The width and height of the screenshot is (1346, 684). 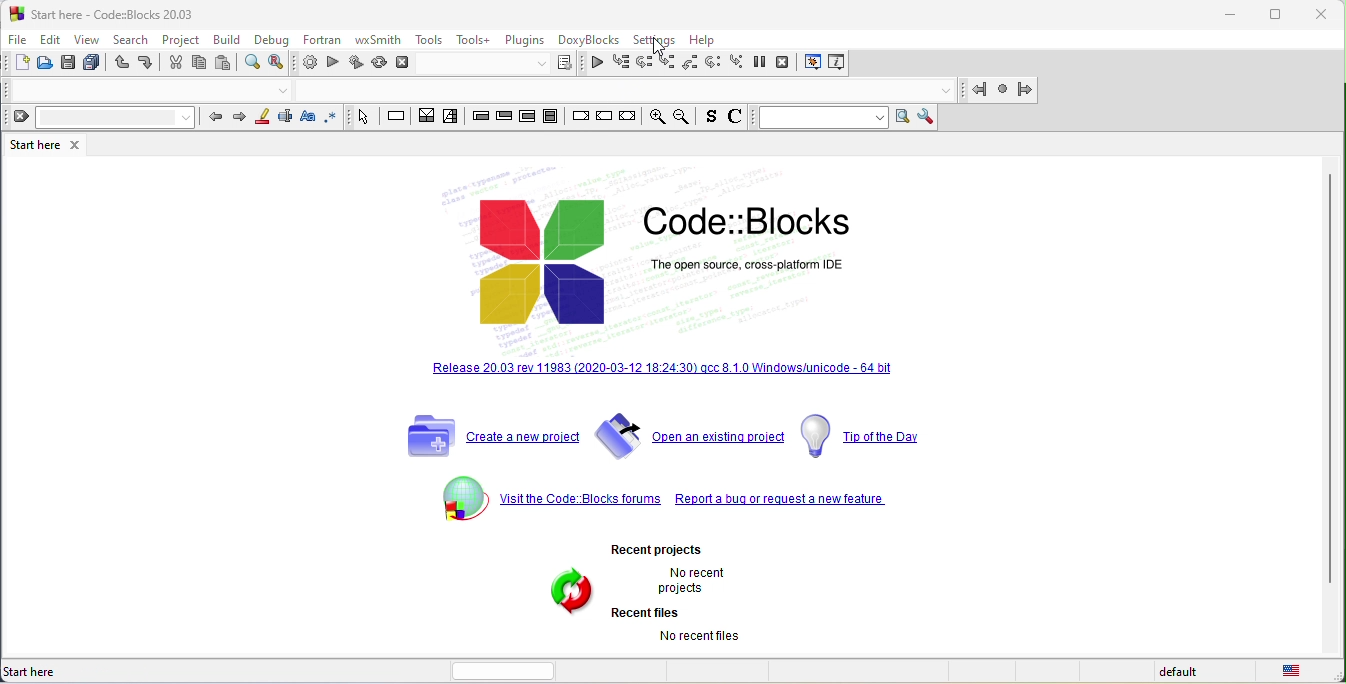 What do you see at coordinates (428, 117) in the screenshot?
I see `decision` at bounding box center [428, 117].